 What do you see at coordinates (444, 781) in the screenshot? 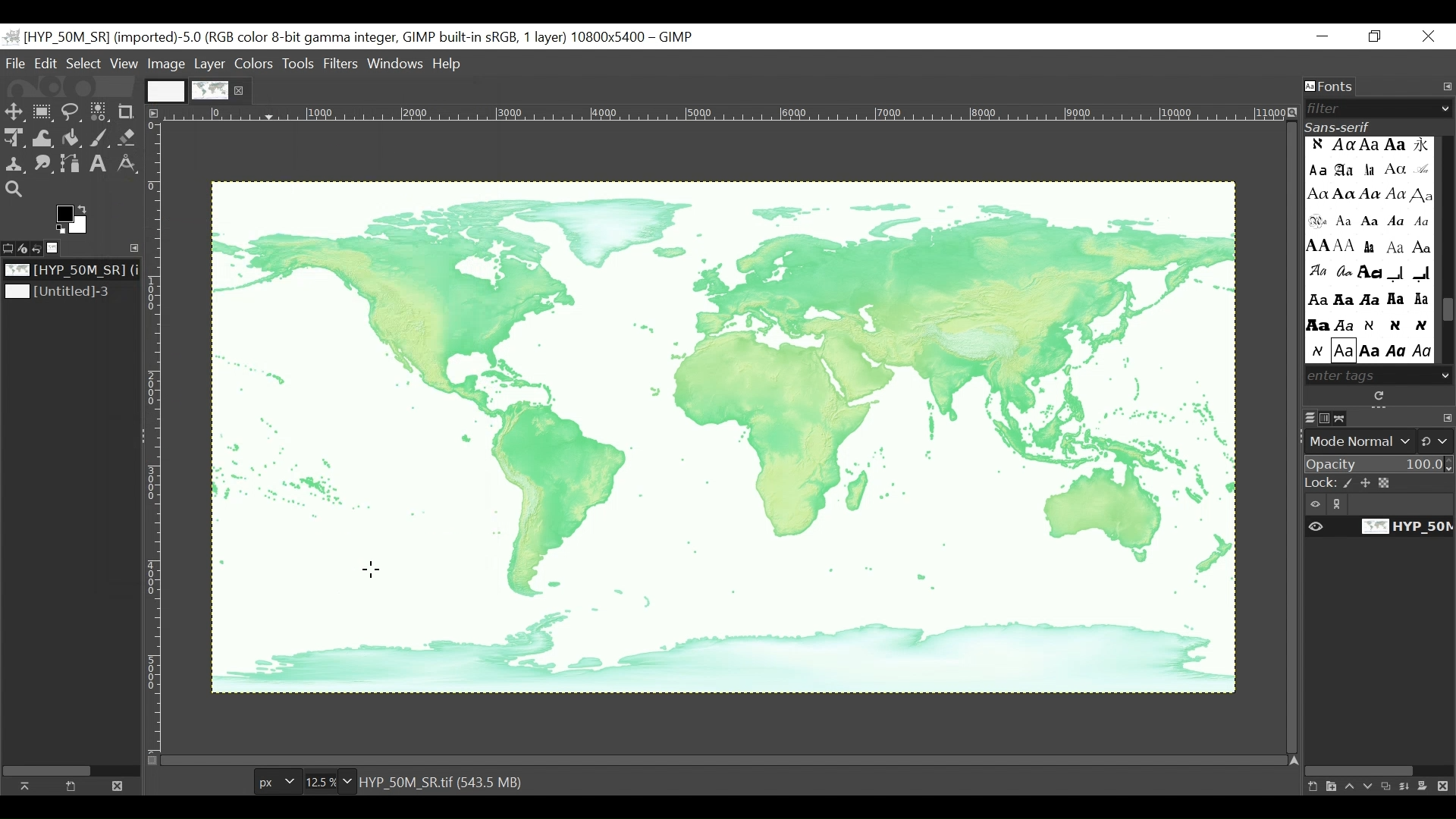
I see `HYP 0M SR TIF (543.5 MB)` at bounding box center [444, 781].